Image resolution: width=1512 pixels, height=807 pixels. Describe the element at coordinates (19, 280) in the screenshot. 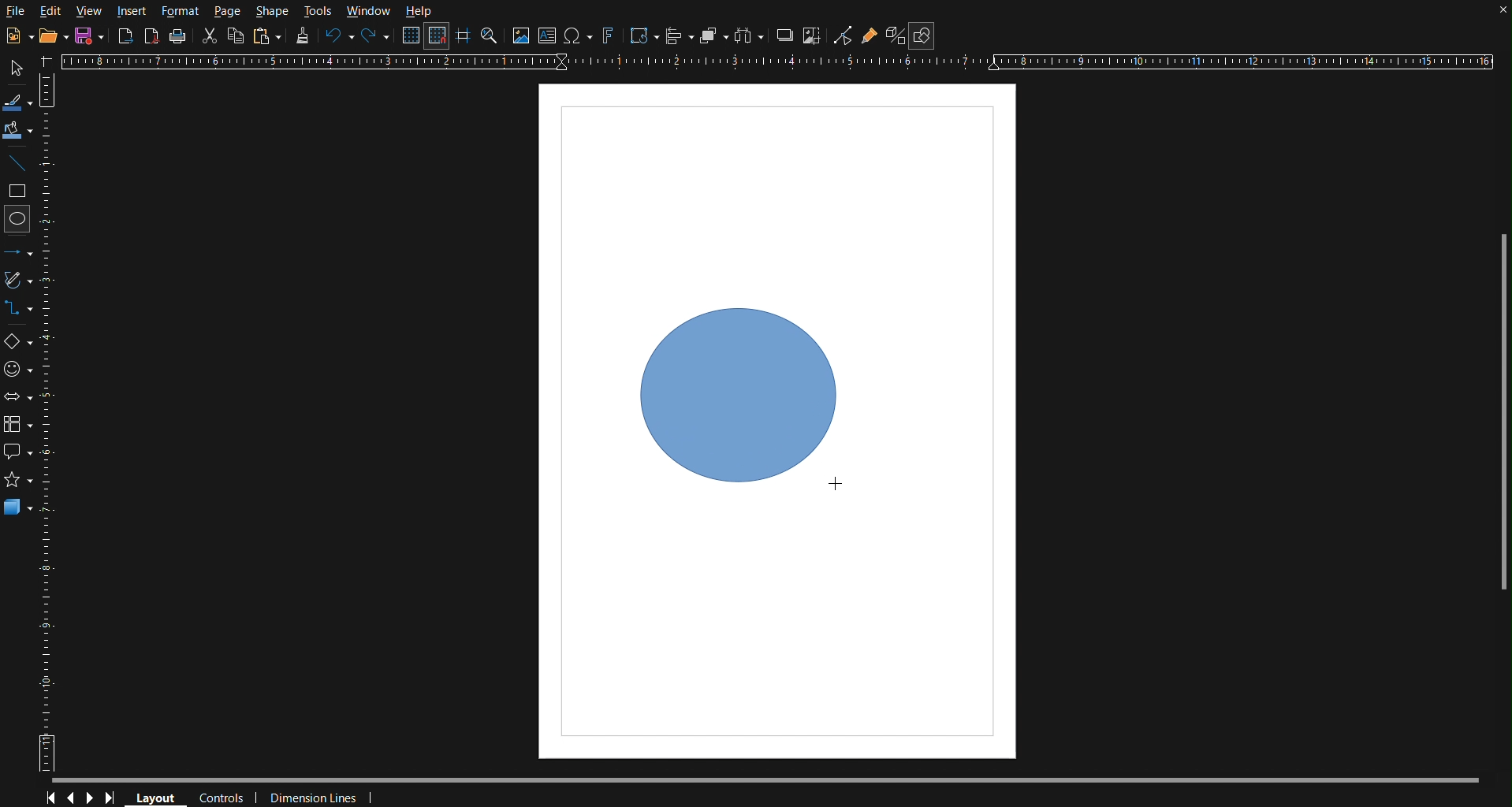

I see `Vectors` at that location.